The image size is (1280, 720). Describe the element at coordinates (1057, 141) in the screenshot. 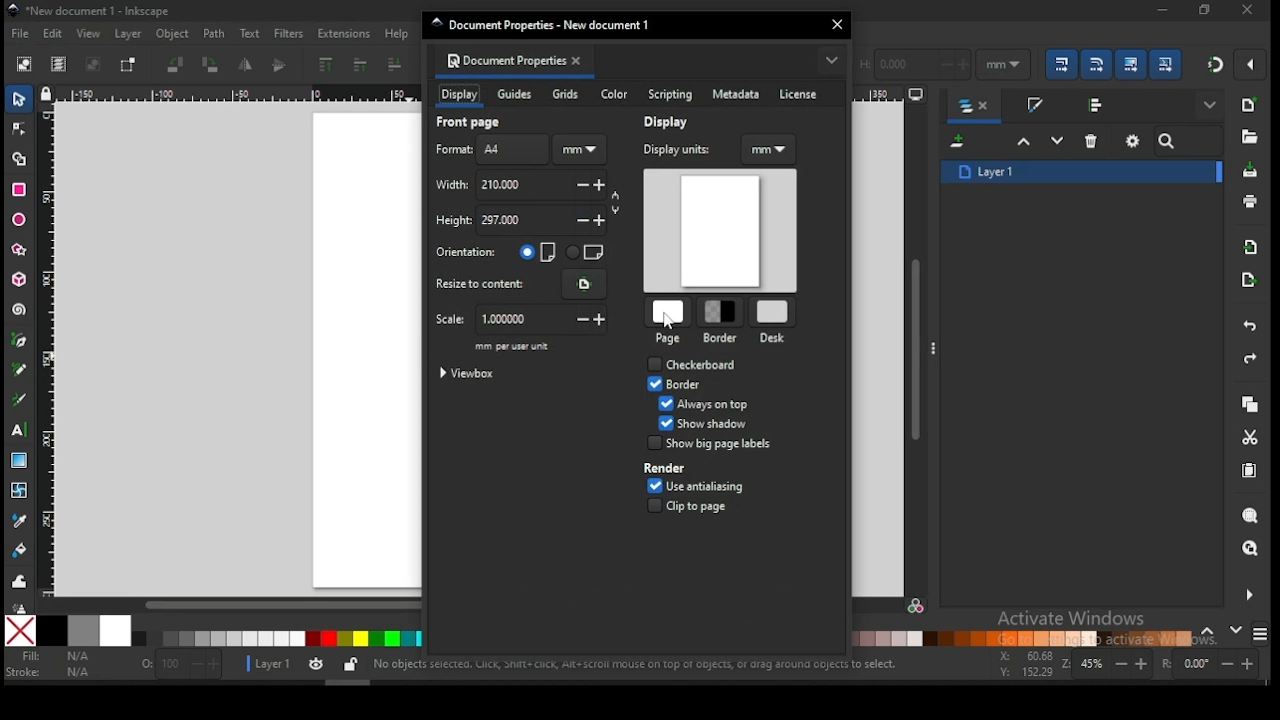

I see `lower selection one step` at that location.